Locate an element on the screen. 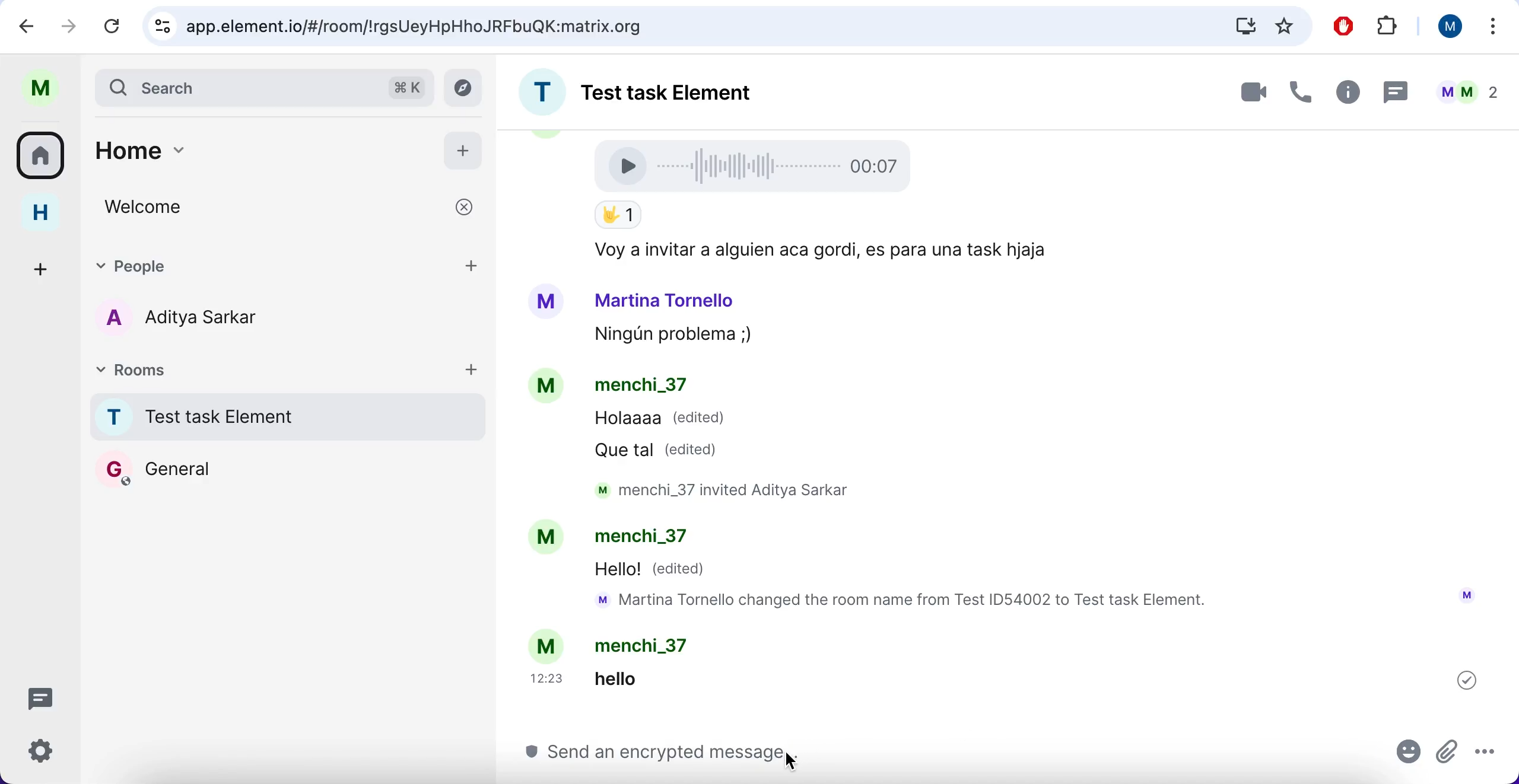 This screenshot has height=784, width=1519. voice call is located at coordinates (1297, 95).